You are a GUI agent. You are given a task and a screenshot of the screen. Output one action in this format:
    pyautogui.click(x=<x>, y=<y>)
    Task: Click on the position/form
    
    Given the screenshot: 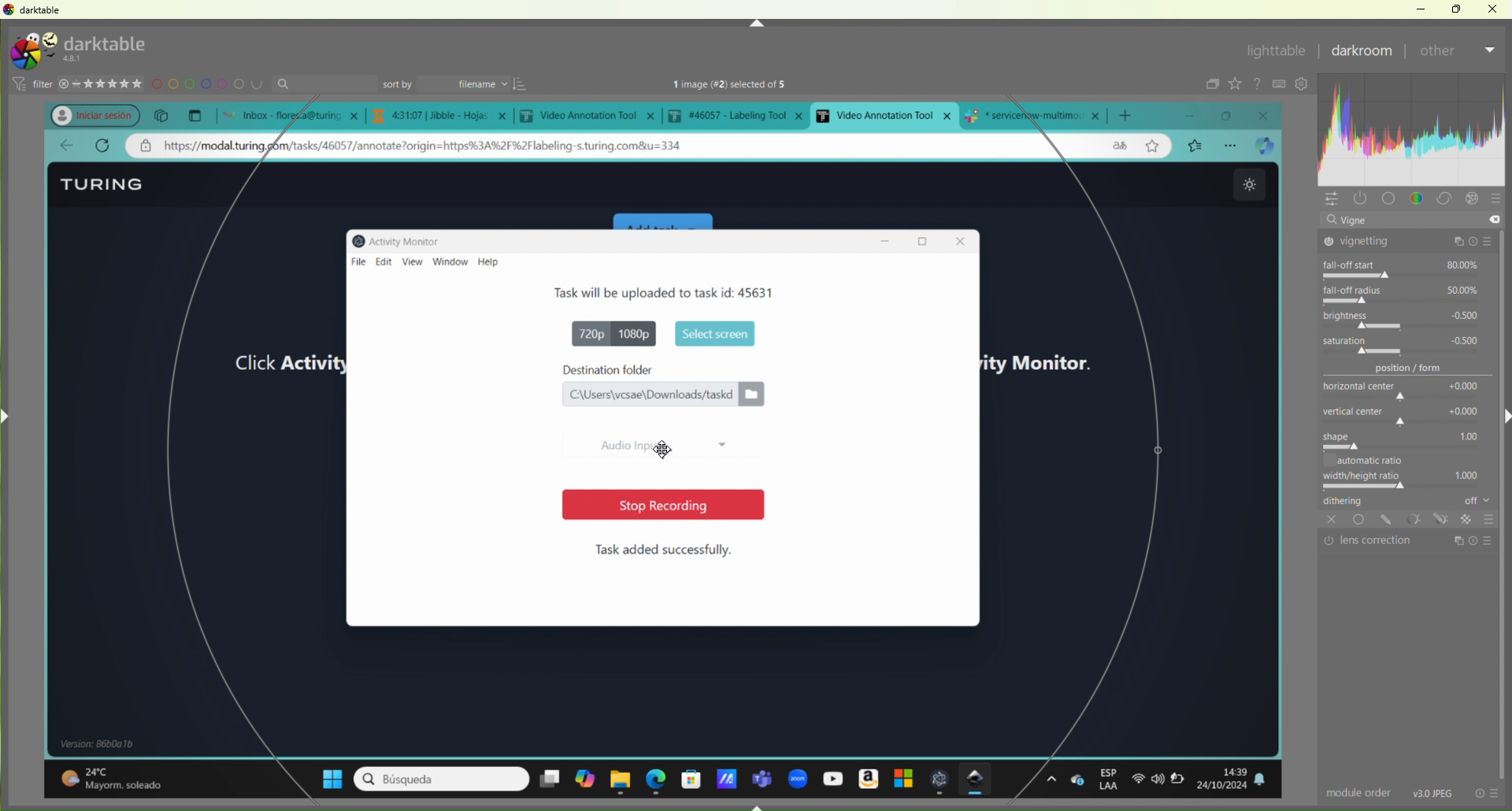 What is the action you would take?
    pyautogui.click(x=1401, y=367)
    